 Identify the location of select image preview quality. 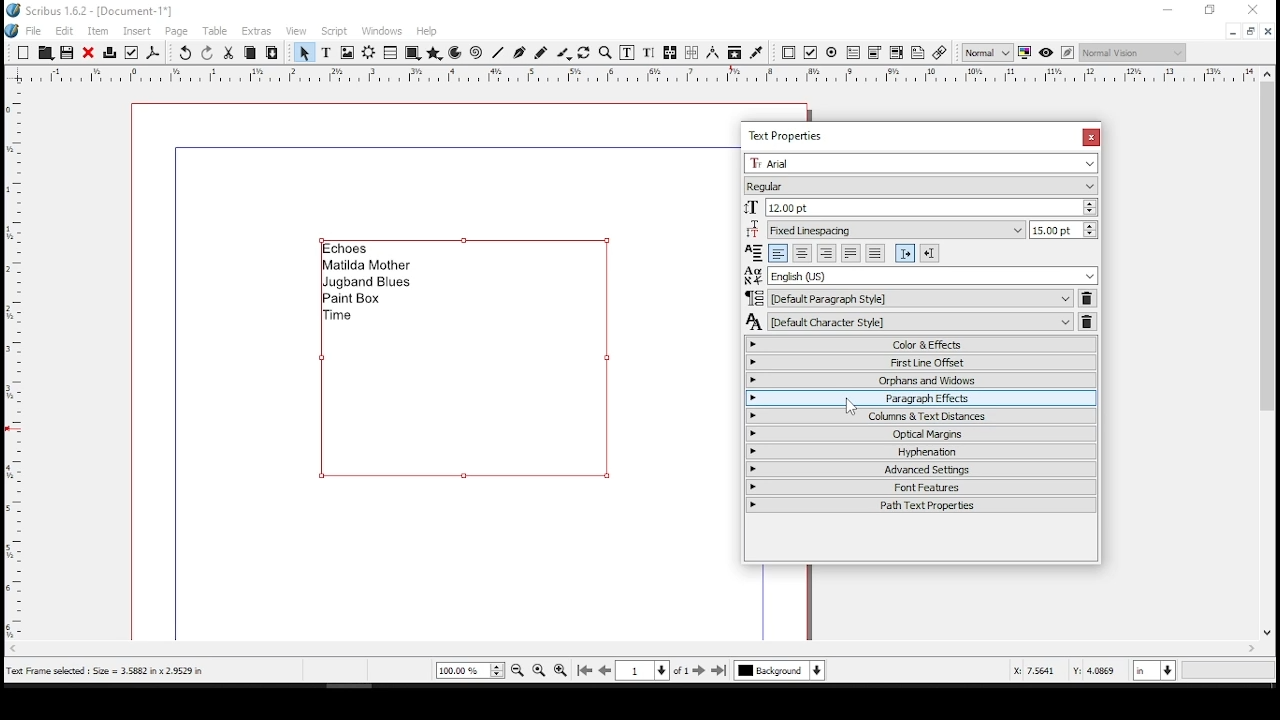
(987, 52).